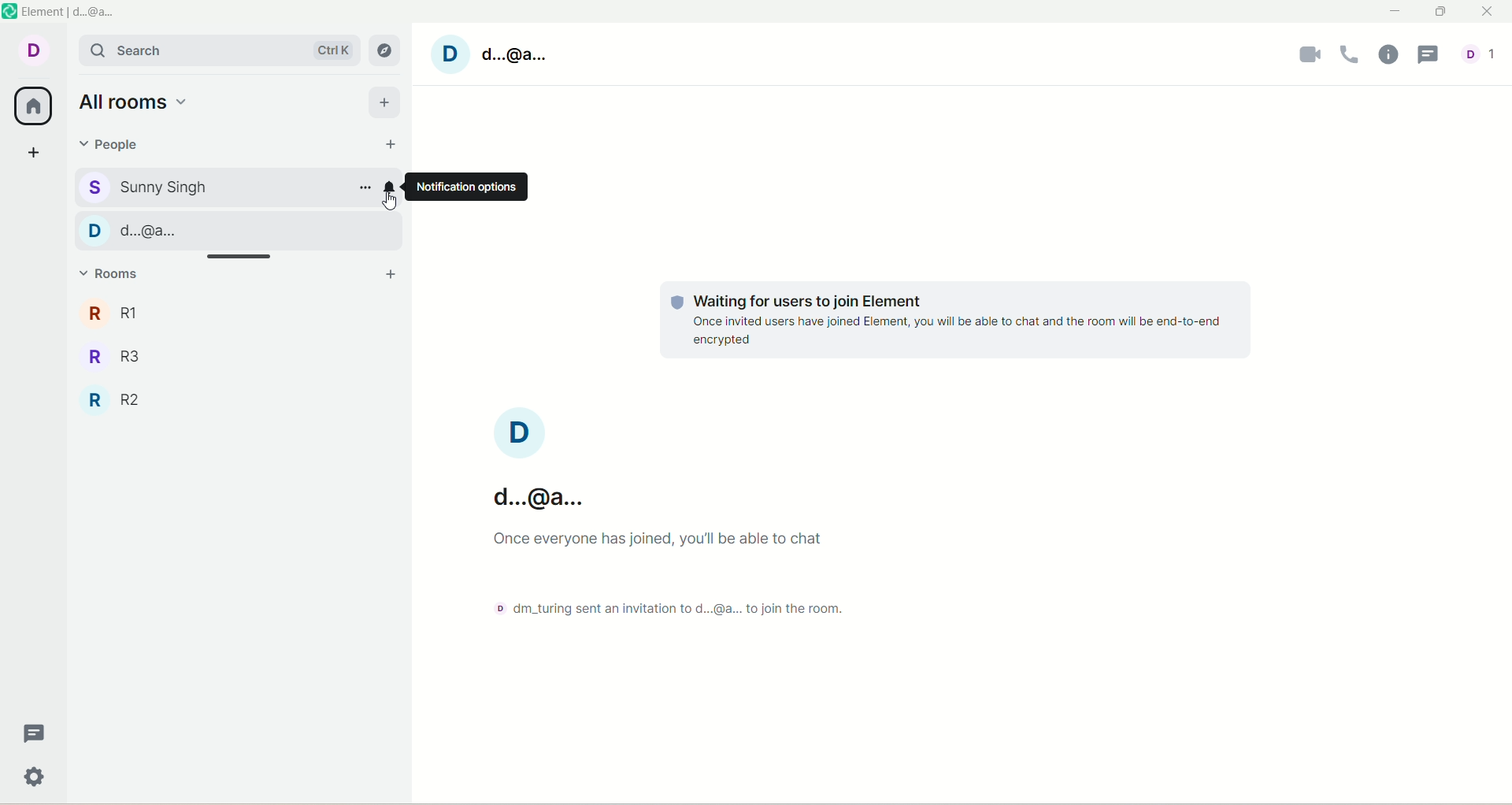  I want to click on text, so click(948, 321).